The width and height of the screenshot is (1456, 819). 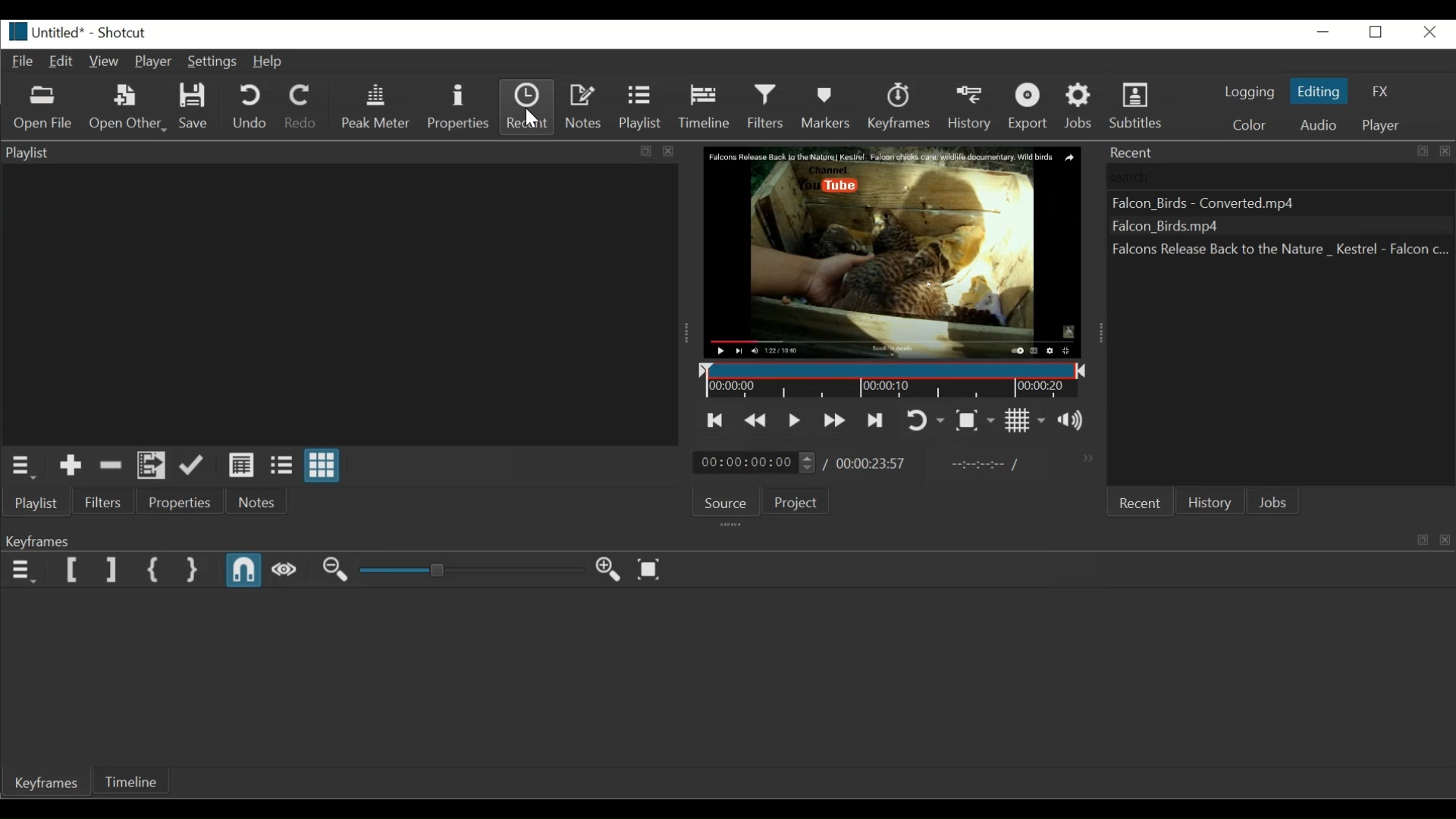 What do you see at coordinates (461, 105) in the screenshot?
I see `Properties` at bounding box center [461, 105].